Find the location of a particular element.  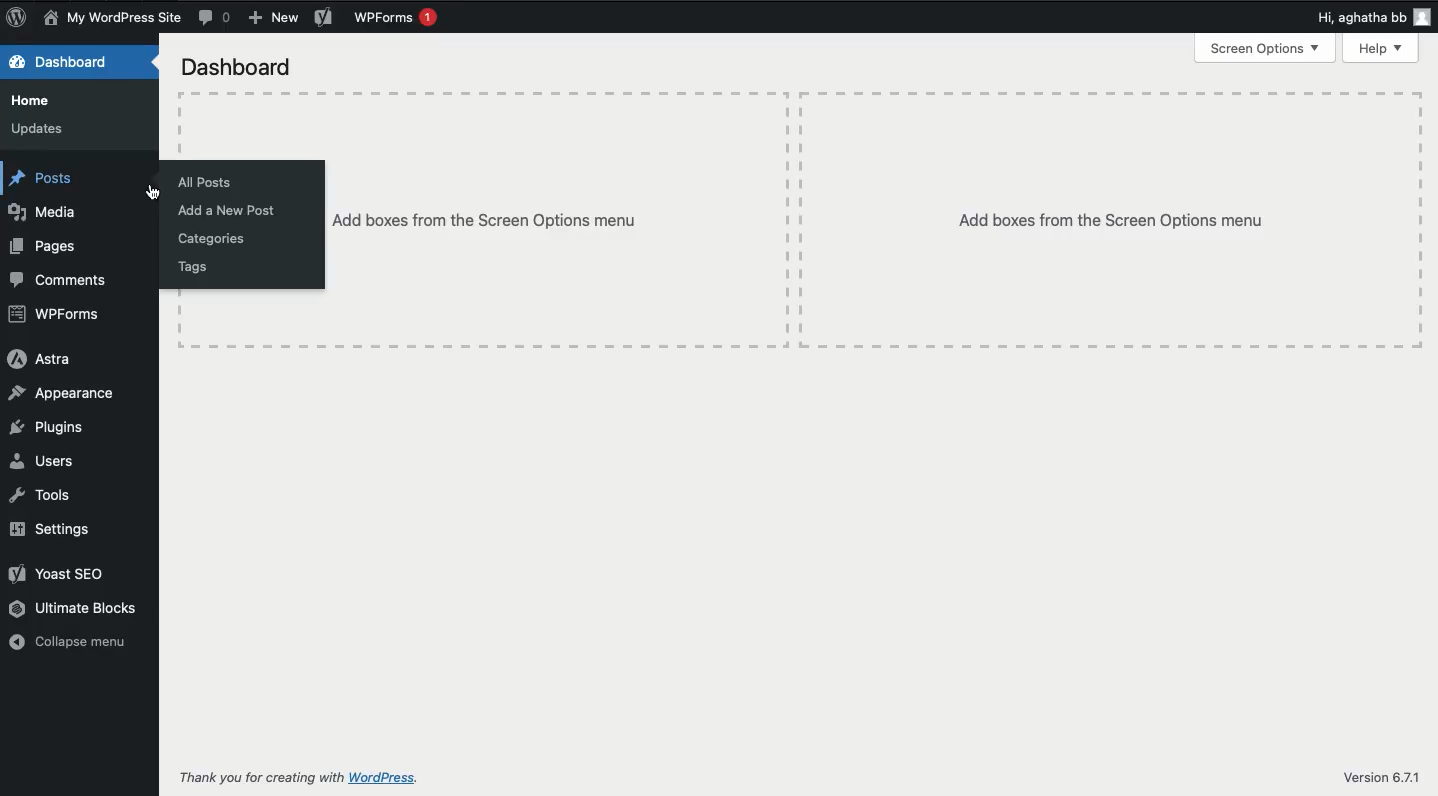

Yoast is located at coordinates (323, 16).